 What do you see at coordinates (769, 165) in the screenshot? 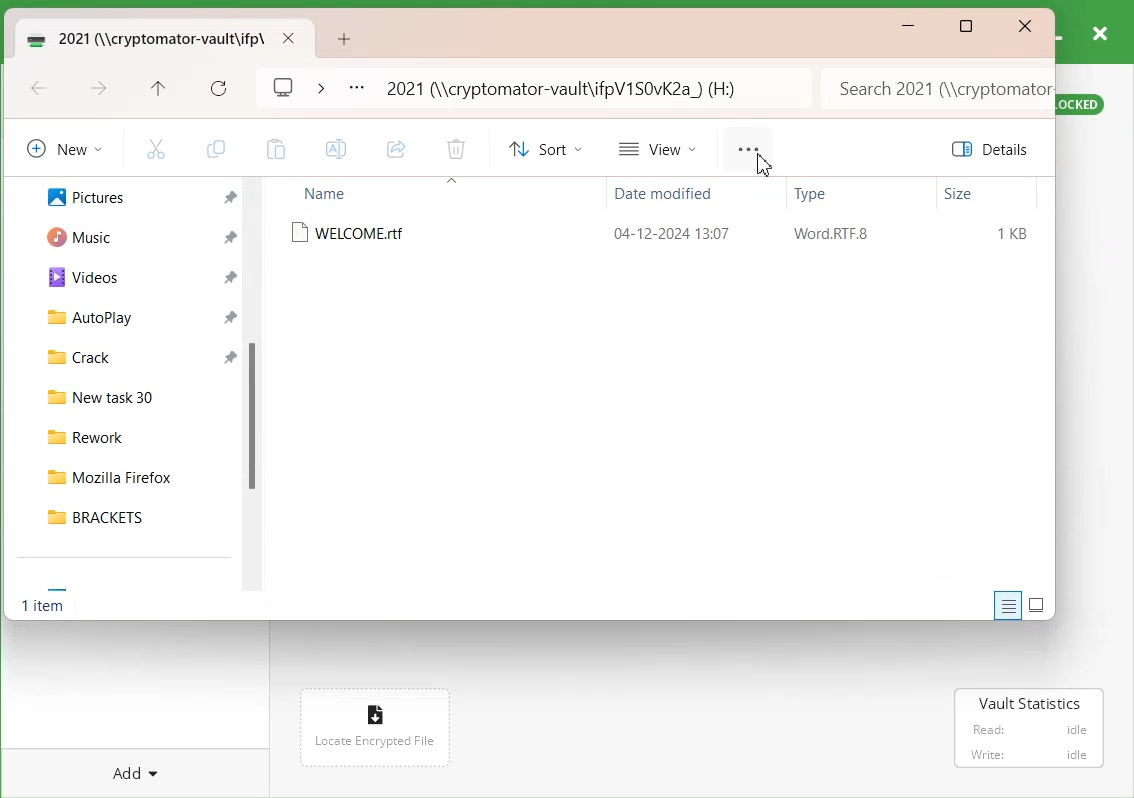
I see `Cursor` at bounding box center [769, 165].